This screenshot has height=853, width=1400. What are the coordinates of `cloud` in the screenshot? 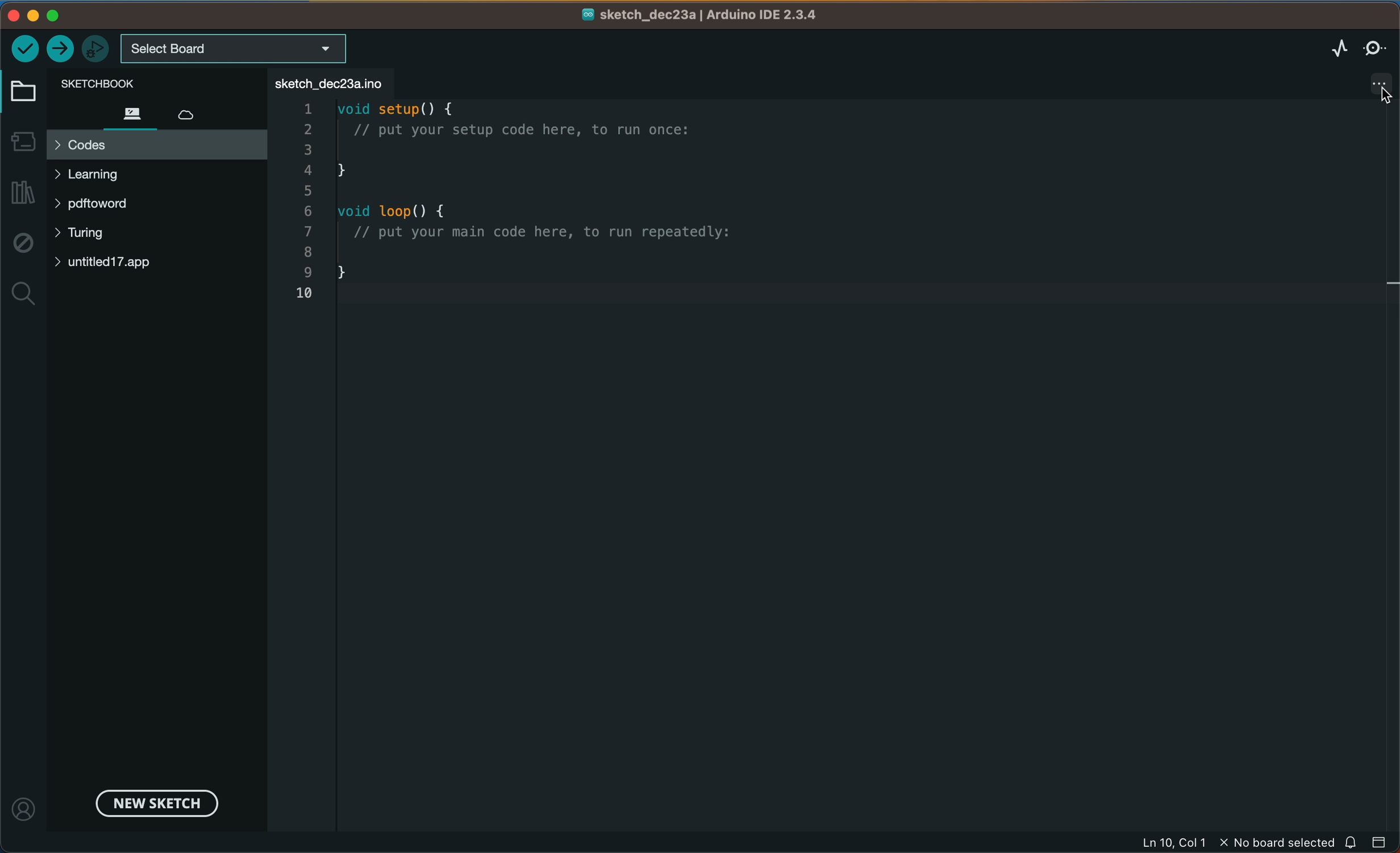 It's located at (197, 111).